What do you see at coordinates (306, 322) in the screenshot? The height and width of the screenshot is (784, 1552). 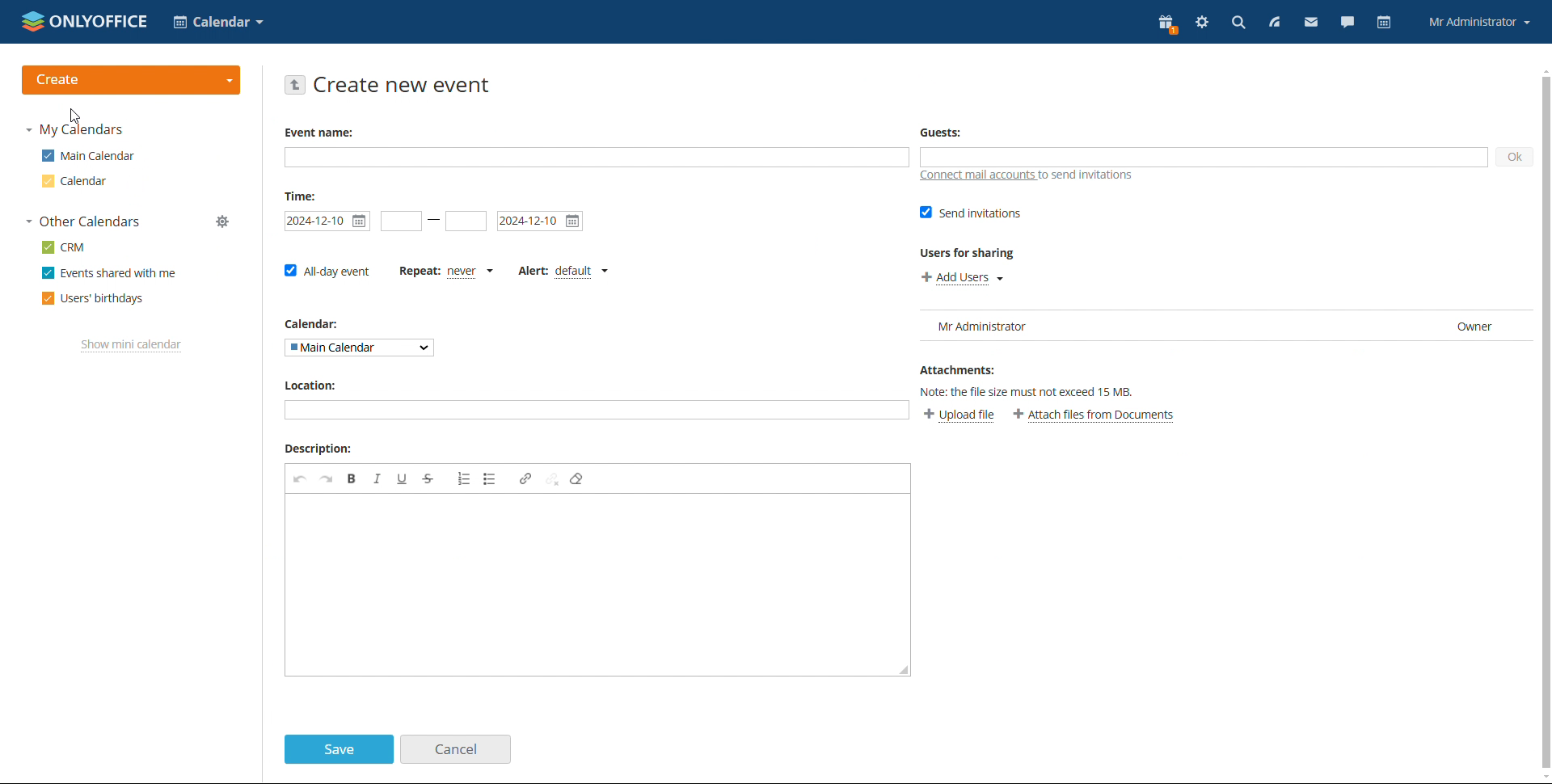 I see `Calendar:` at bounding box center [306, 322].